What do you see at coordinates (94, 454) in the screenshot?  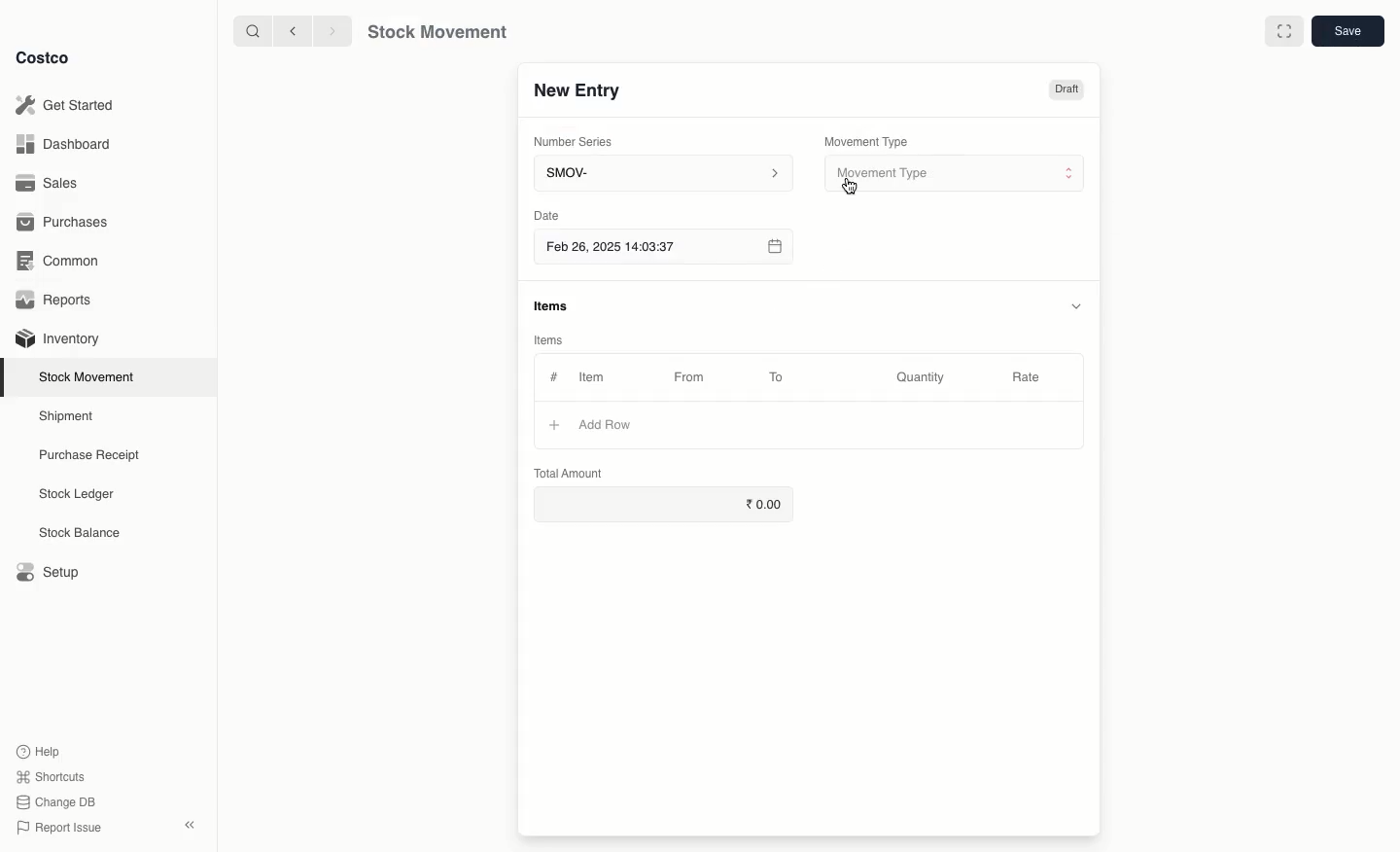 I see `Purchase Receipt` at bounding box center [94, 454].